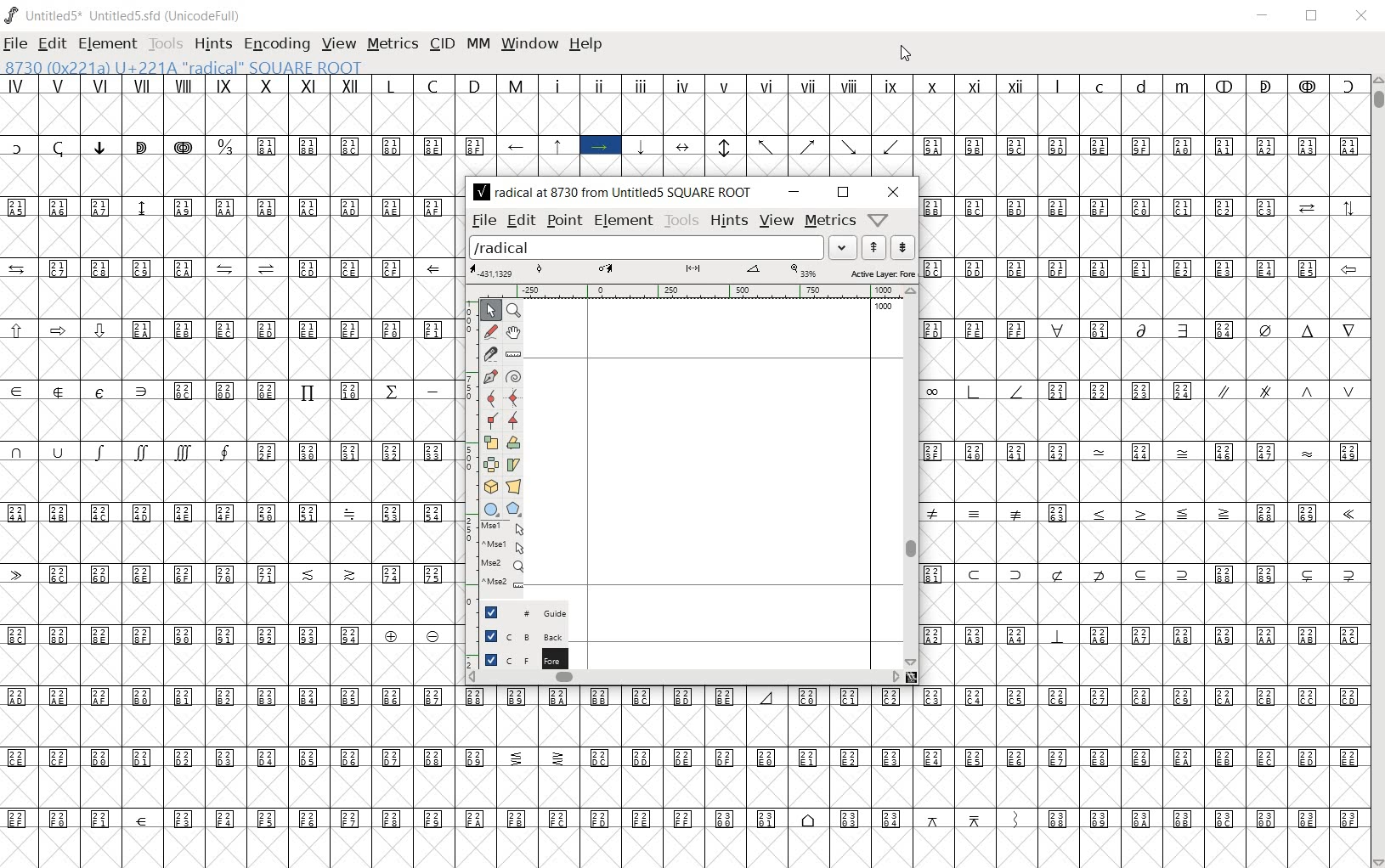 The height and width of the screenshot is (868, 1385). I want to click on Untitled5* Untitled5.sfd (UnicodeFull), so click(124, 13).